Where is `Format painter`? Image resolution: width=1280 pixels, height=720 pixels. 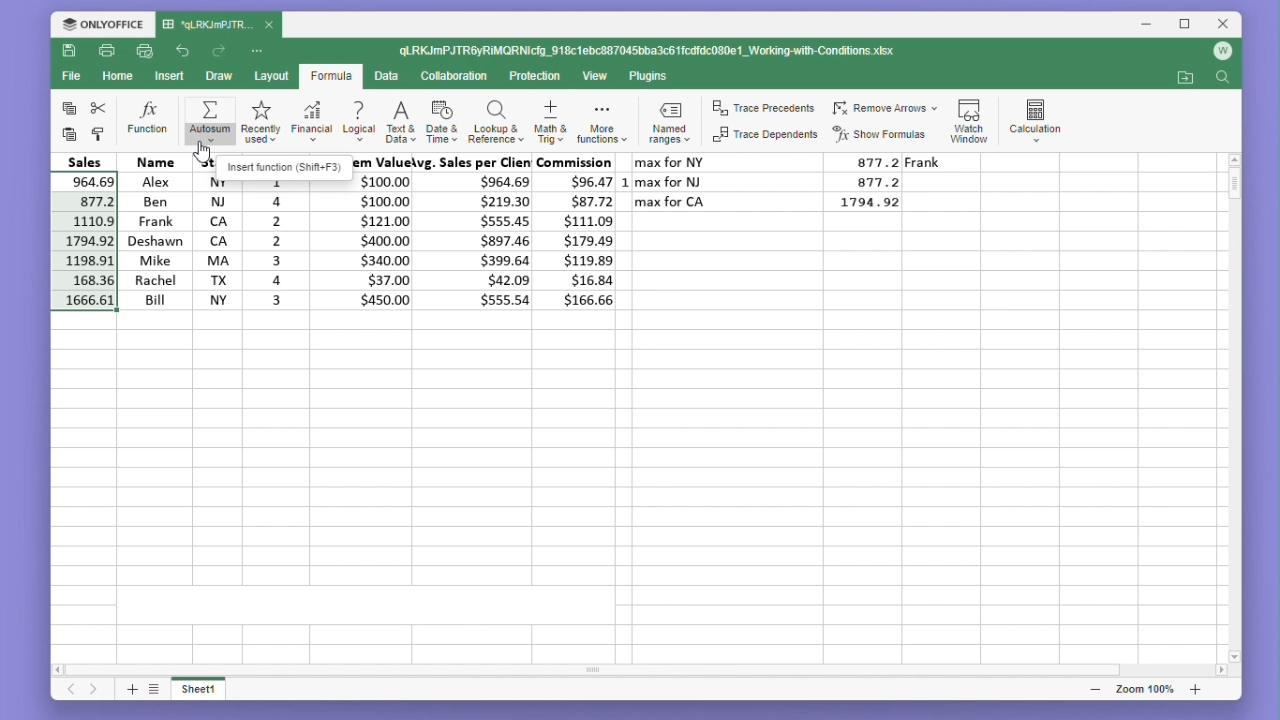
Format painter is located at coordinates (98, 135).